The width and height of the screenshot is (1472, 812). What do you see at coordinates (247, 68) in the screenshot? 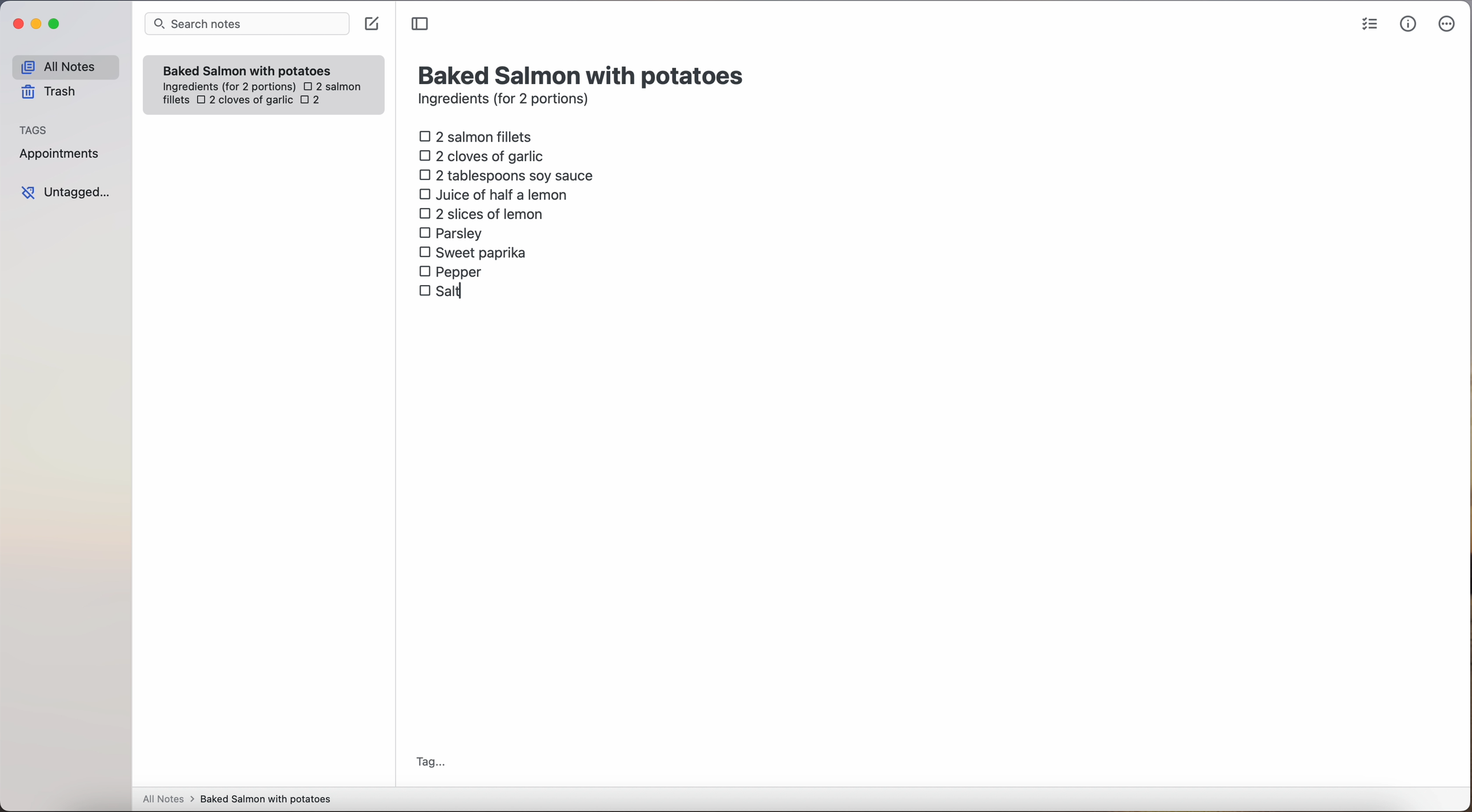
I see `Baked Salmon with potatoes` at bounding box center [247, 68].